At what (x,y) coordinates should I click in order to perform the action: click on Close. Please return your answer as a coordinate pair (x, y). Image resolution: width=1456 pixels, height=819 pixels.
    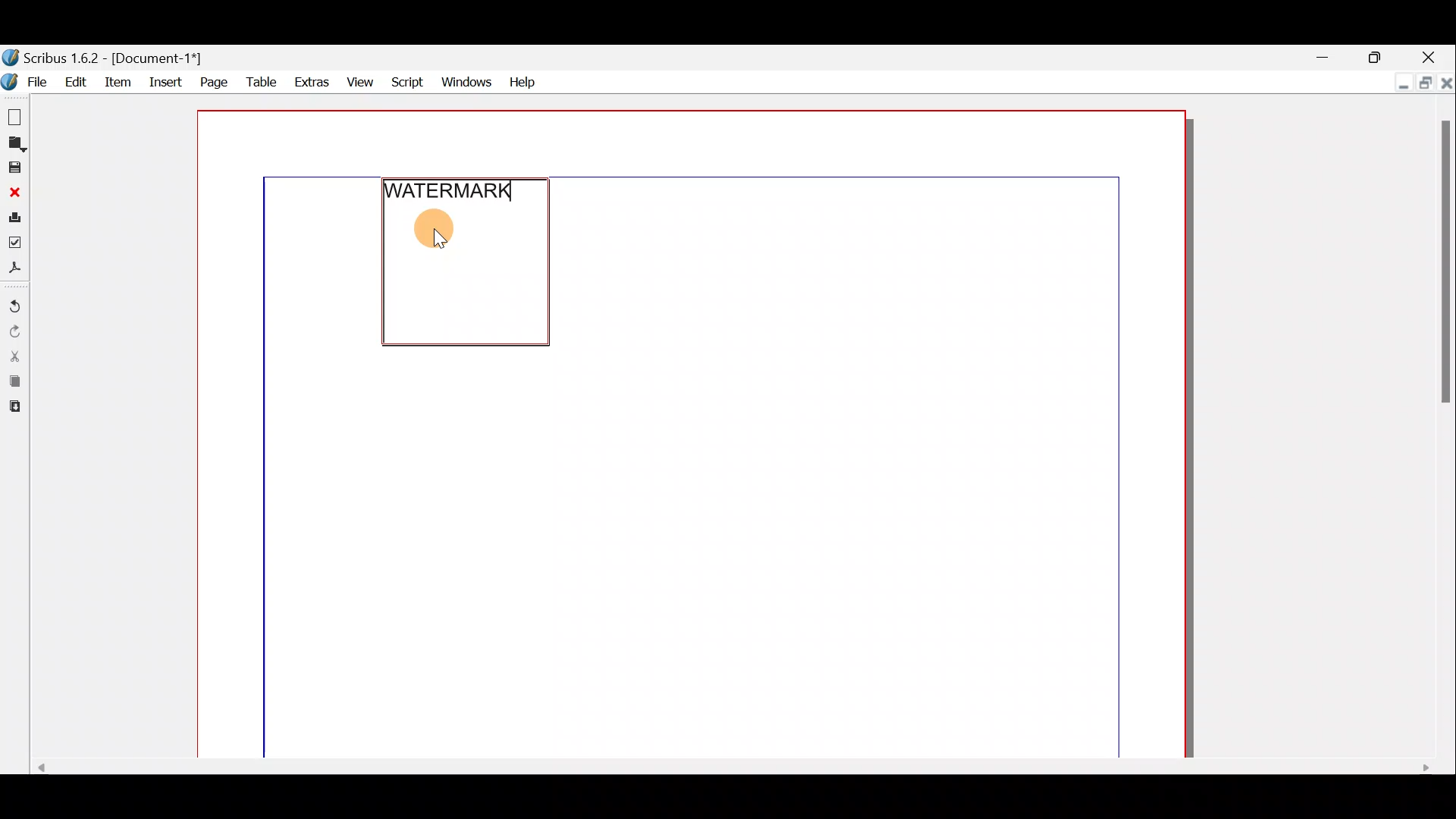
    Looking at the image, I should click on (1432, 55).